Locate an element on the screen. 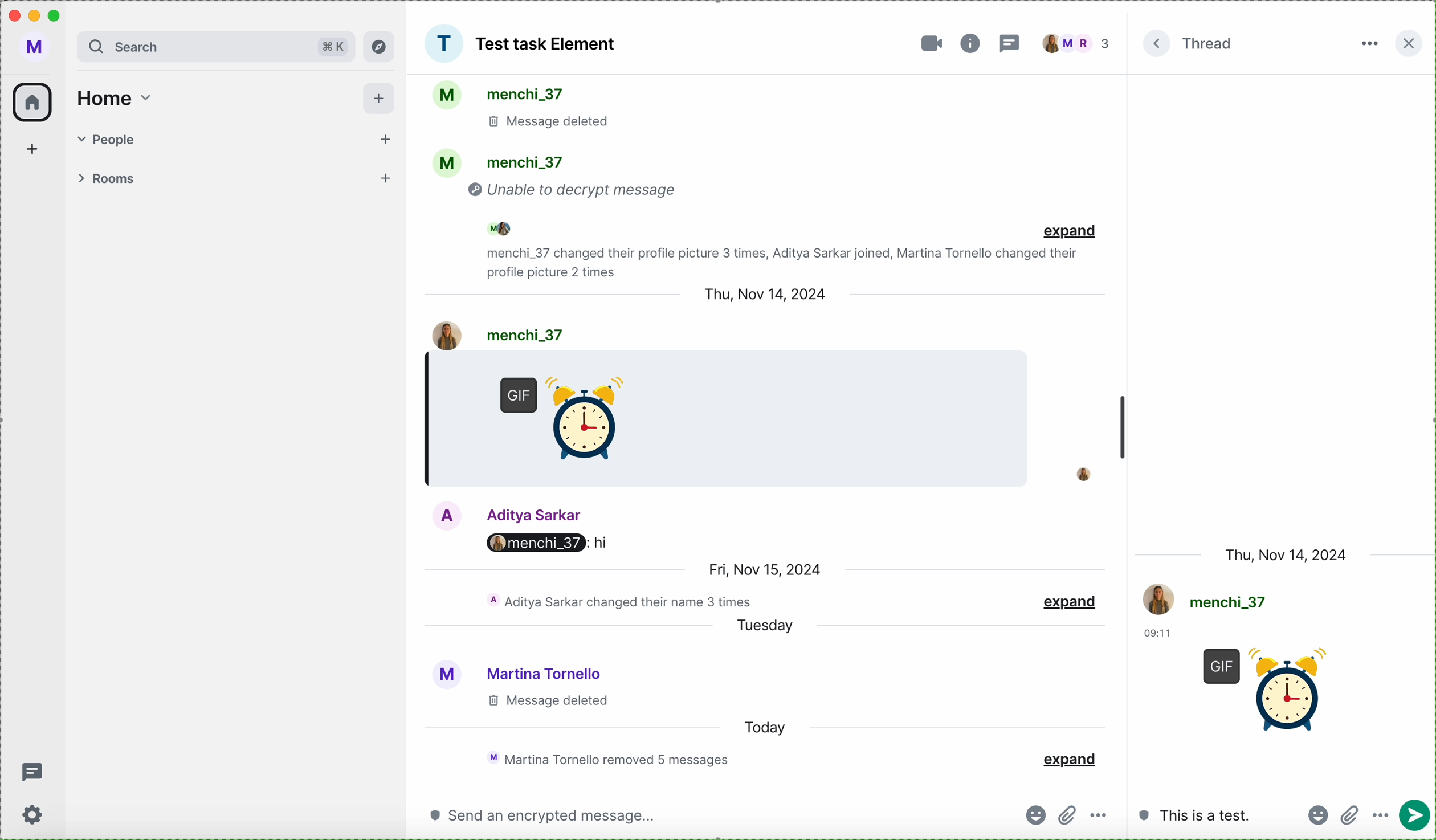 This screenshot has width=1436, height=840. Test Task Element is located at coordinates (548, 44).